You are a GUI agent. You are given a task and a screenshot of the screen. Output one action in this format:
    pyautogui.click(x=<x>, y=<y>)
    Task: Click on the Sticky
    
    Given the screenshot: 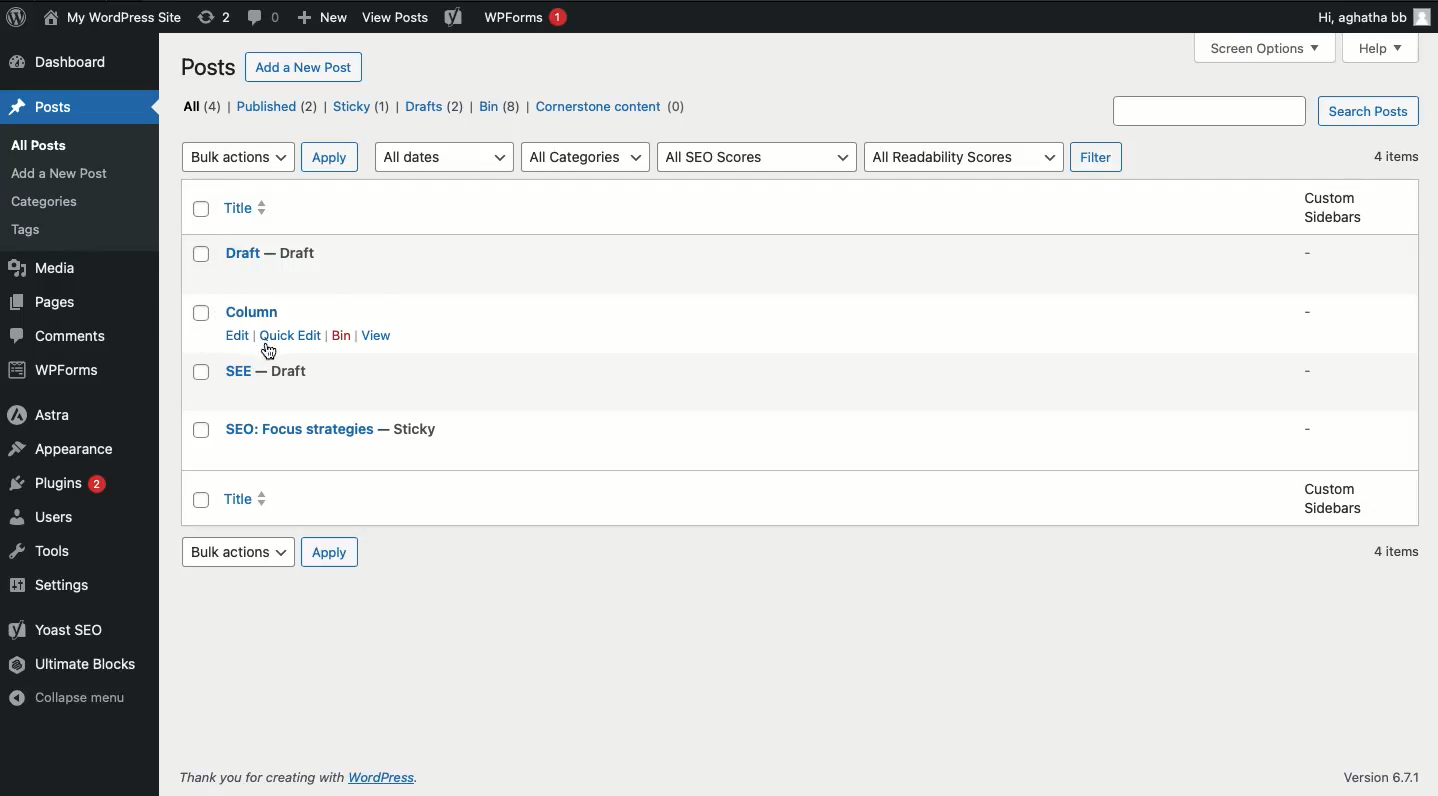 What is the action you would take?
    pyautogui.click(x=362, y=107)
    